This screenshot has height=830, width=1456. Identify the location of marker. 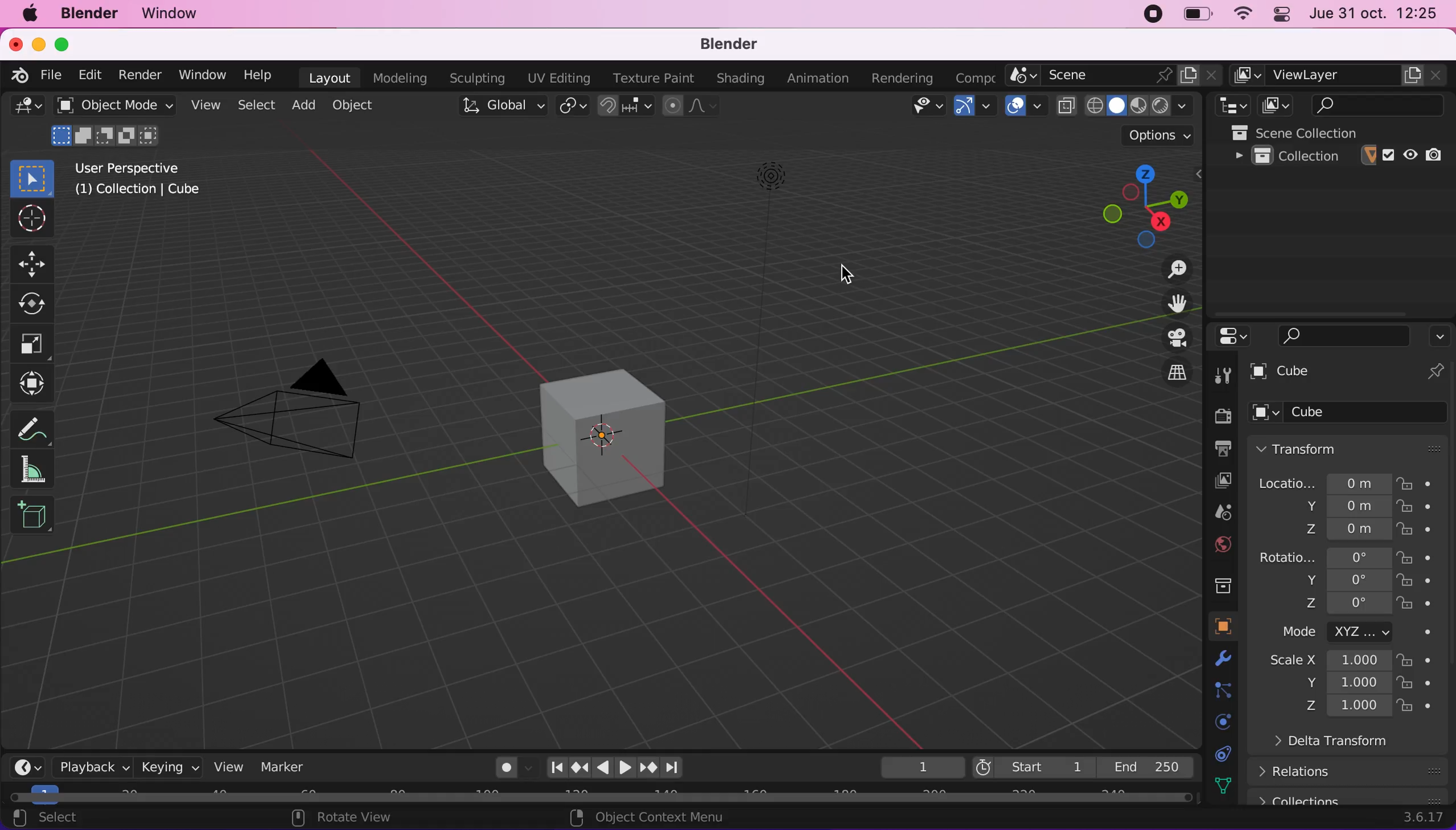
(288, 766).